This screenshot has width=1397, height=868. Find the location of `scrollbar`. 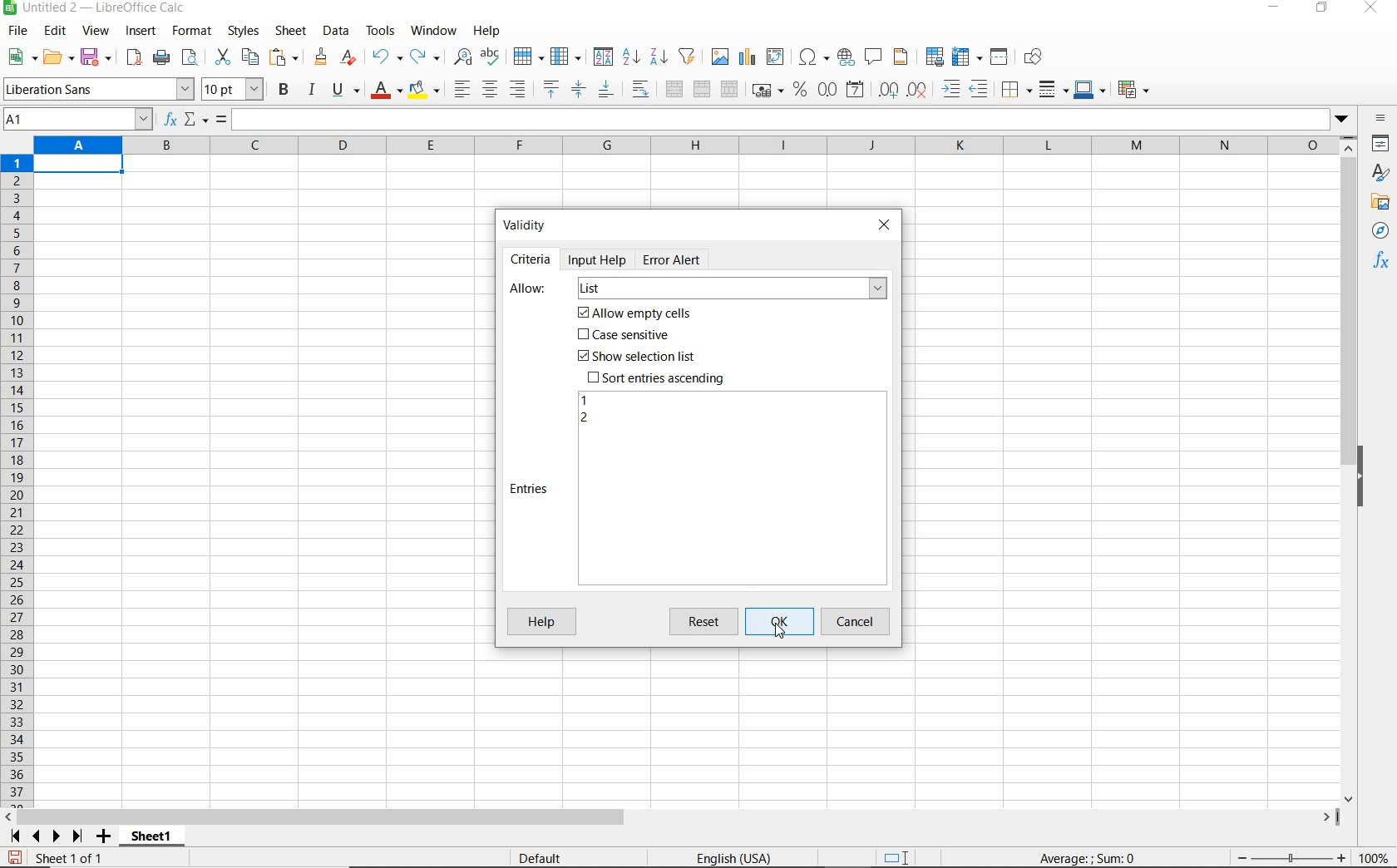

scrollbar is located at coordinates (1350, 470).